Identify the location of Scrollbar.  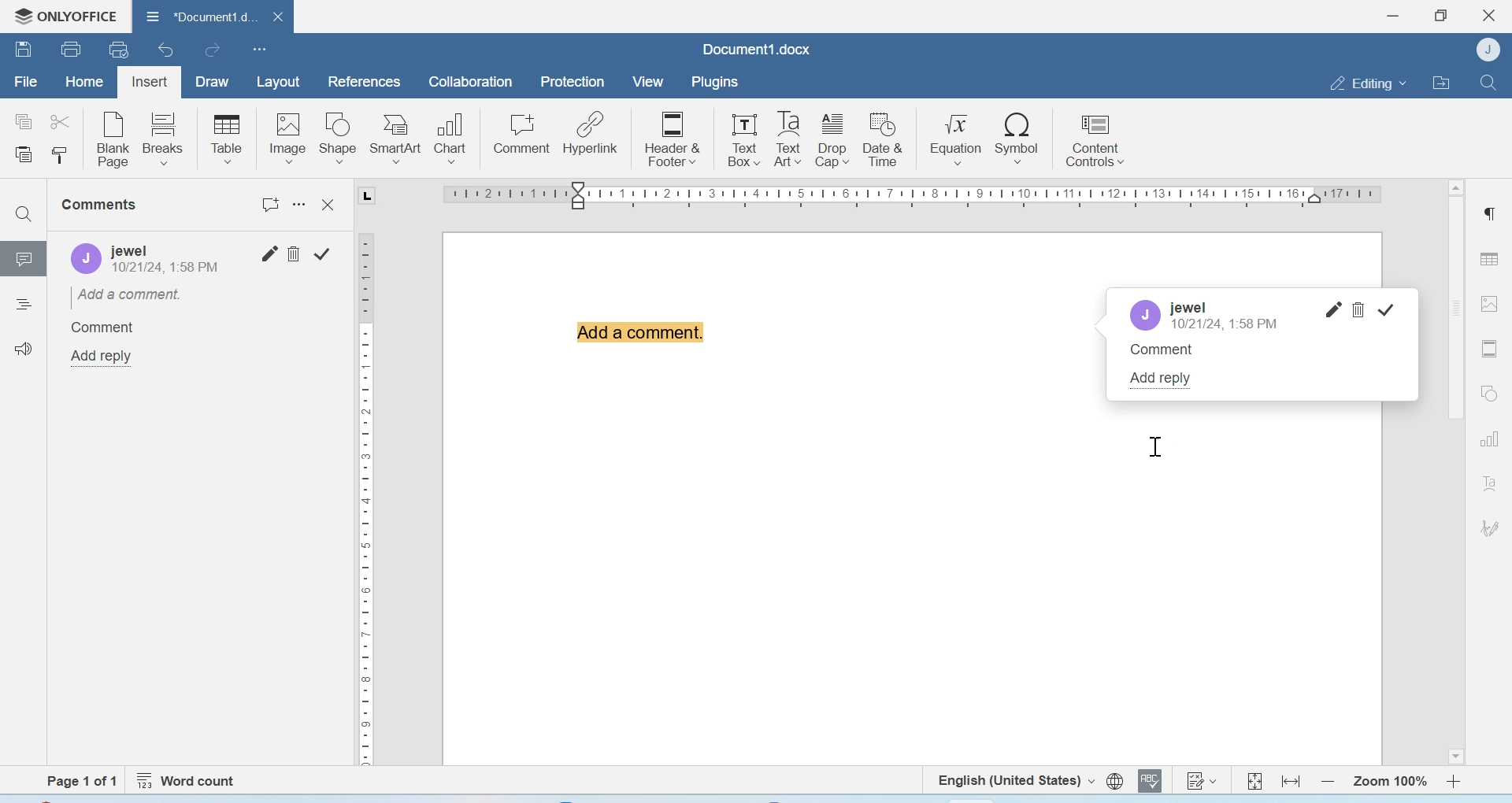
(1455, 470).